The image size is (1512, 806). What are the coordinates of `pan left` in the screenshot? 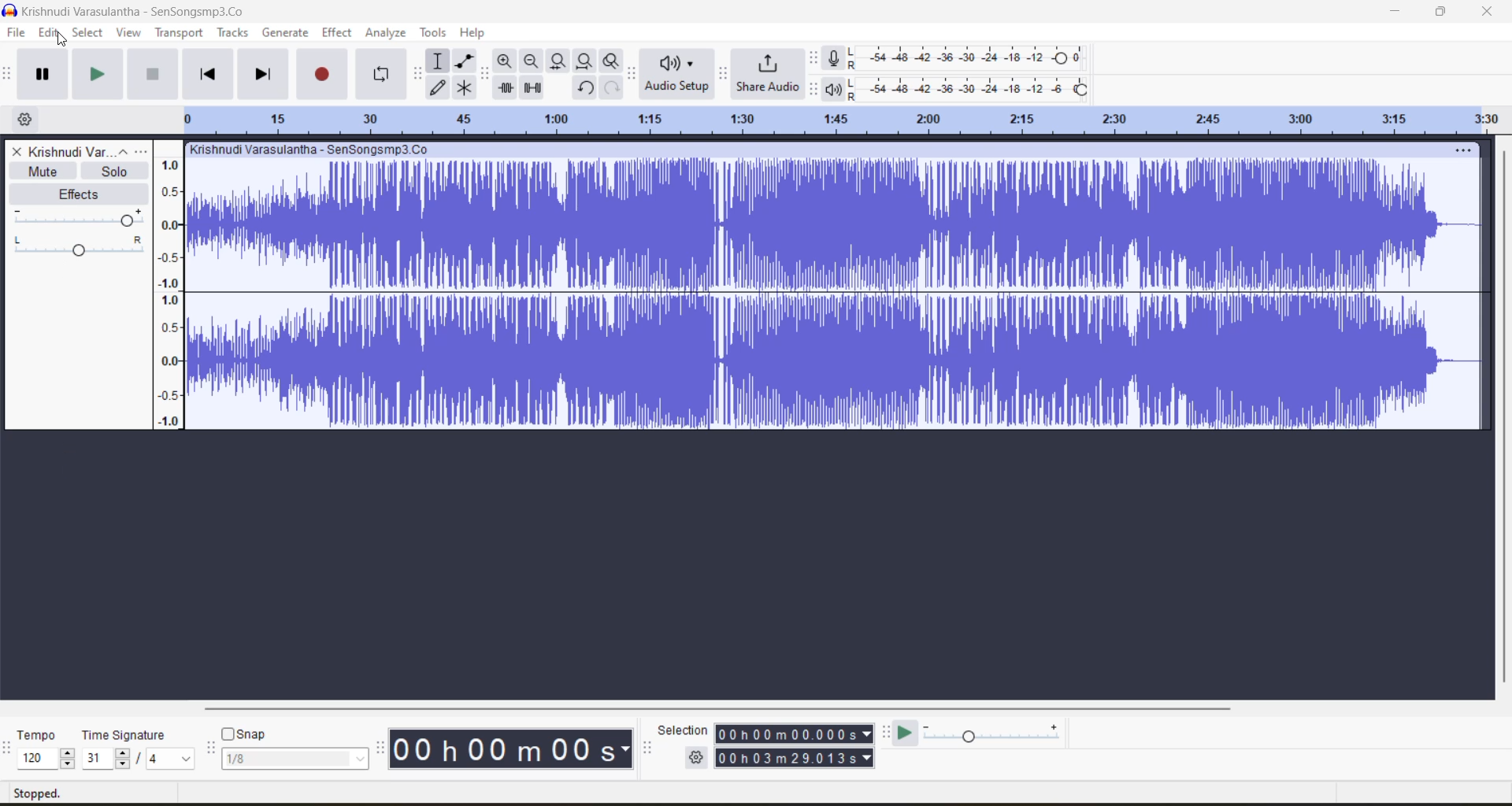 It's located at (20, 240).